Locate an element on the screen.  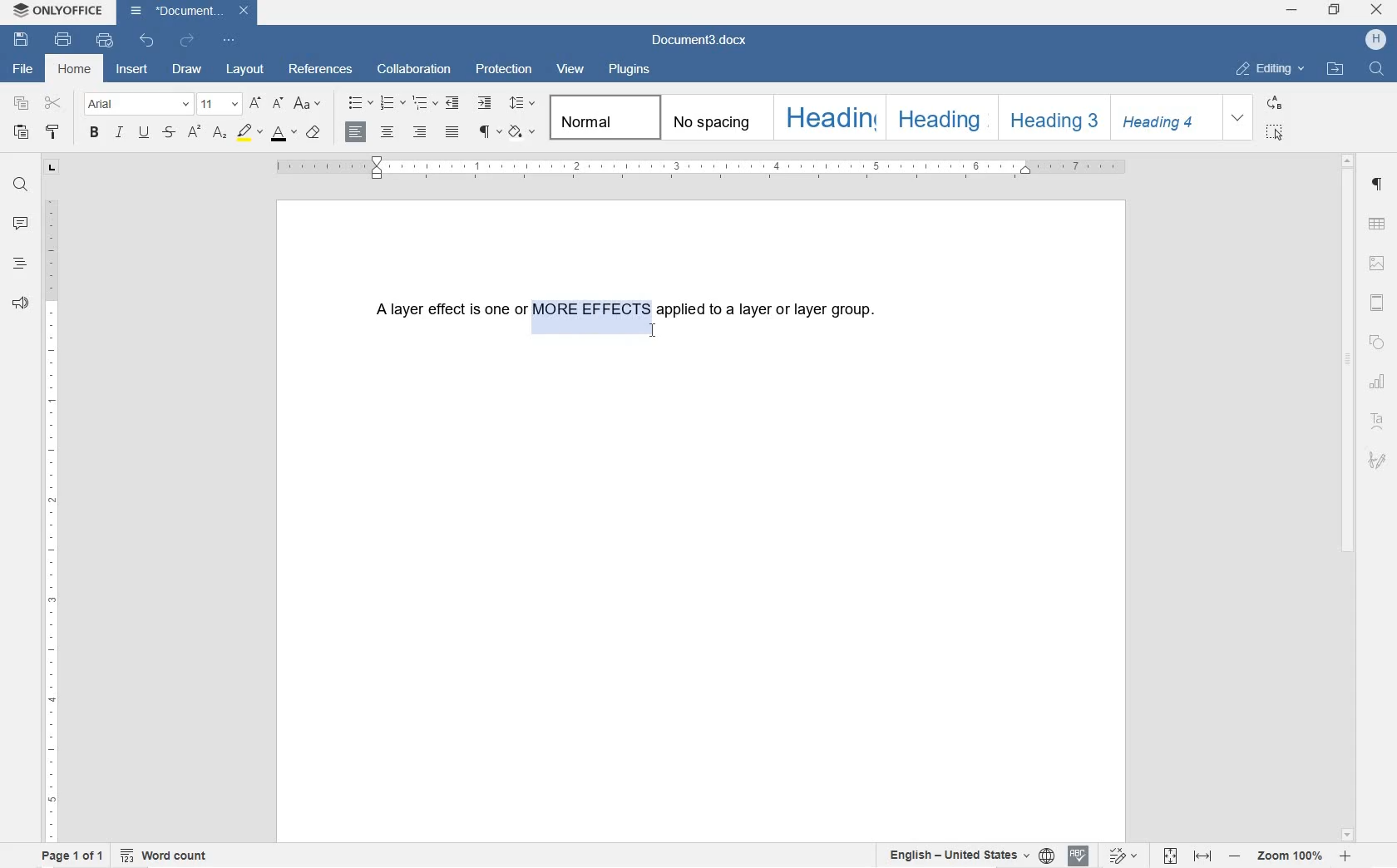
REPLACE is located at coordinates (1275, 102).